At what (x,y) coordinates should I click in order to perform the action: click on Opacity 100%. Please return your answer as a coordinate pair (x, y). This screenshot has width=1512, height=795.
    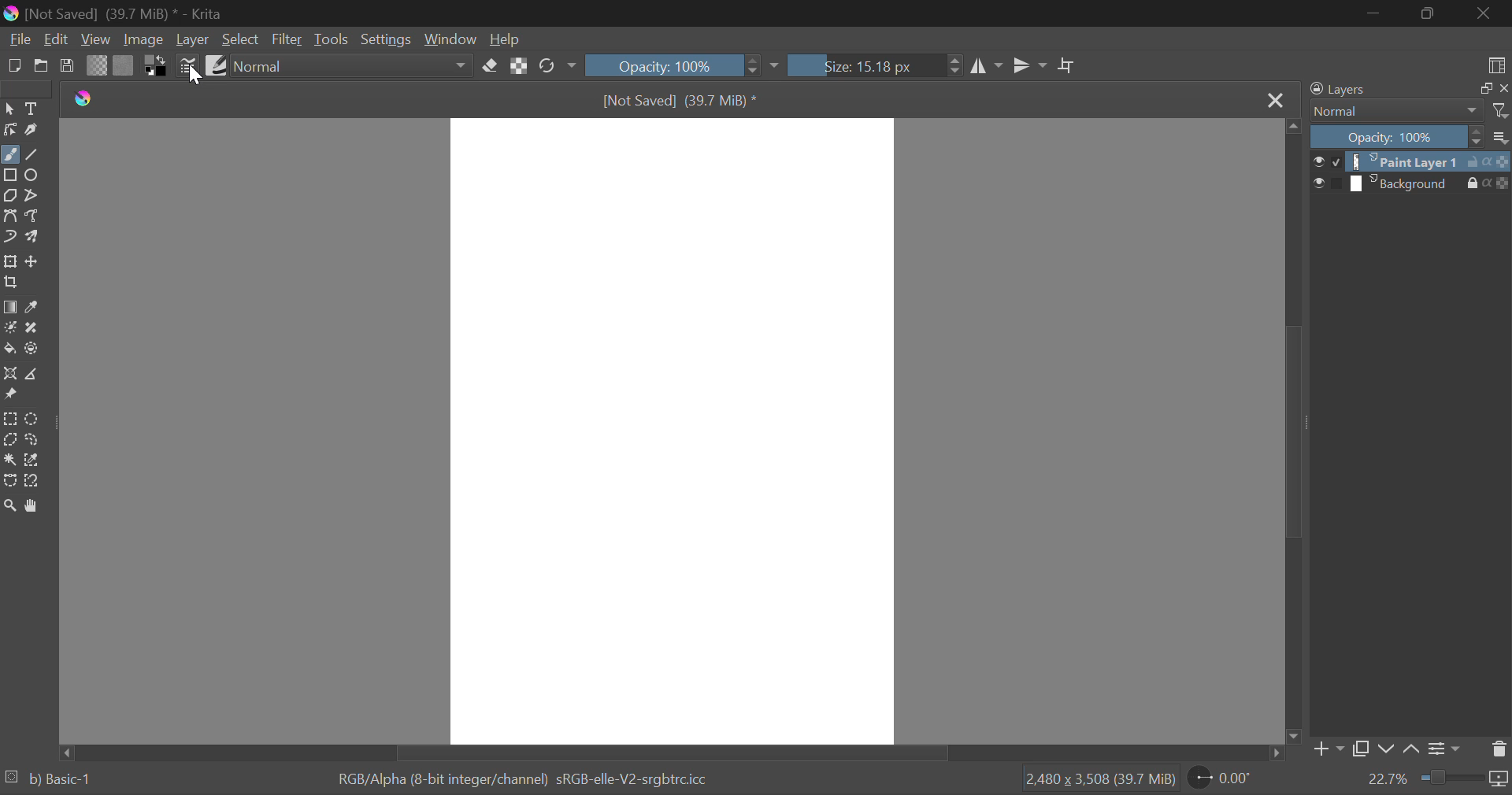
    Looking at the image, I should click on (684, 66).